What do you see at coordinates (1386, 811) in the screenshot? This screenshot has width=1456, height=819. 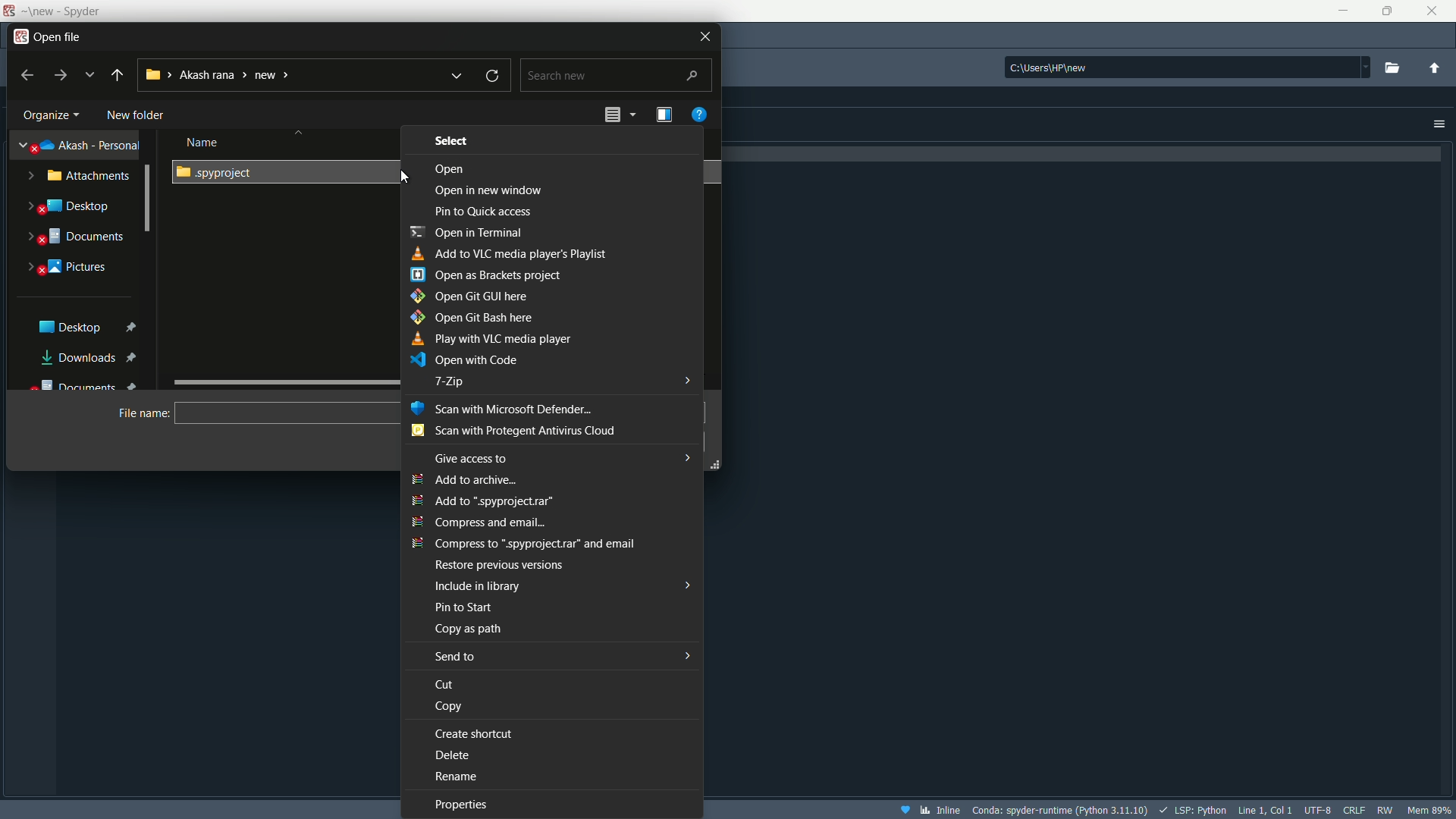 I see `rw` at bounding box center [1386, 811].